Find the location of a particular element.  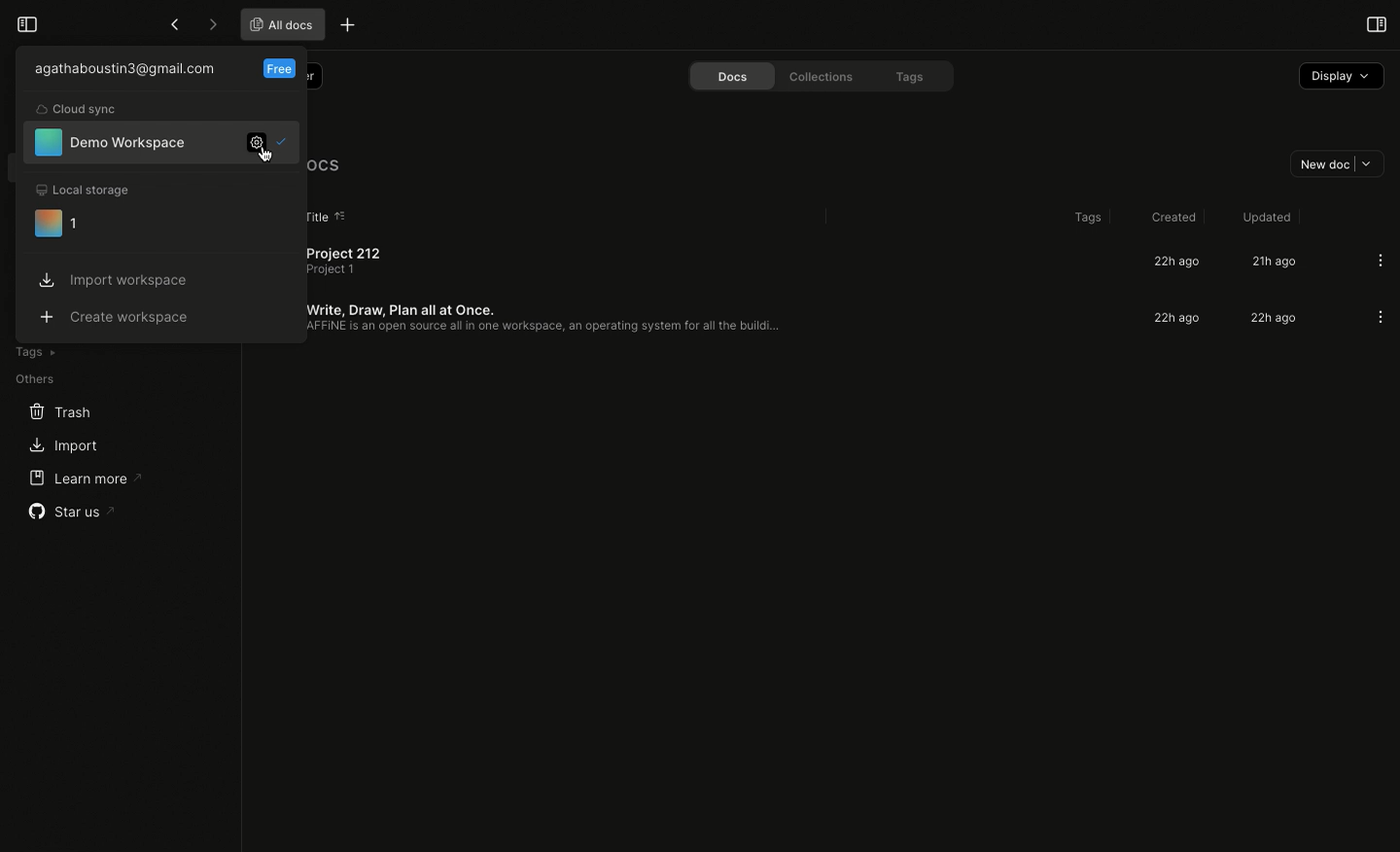

Demo workspace is located at coordinates (112, 142).